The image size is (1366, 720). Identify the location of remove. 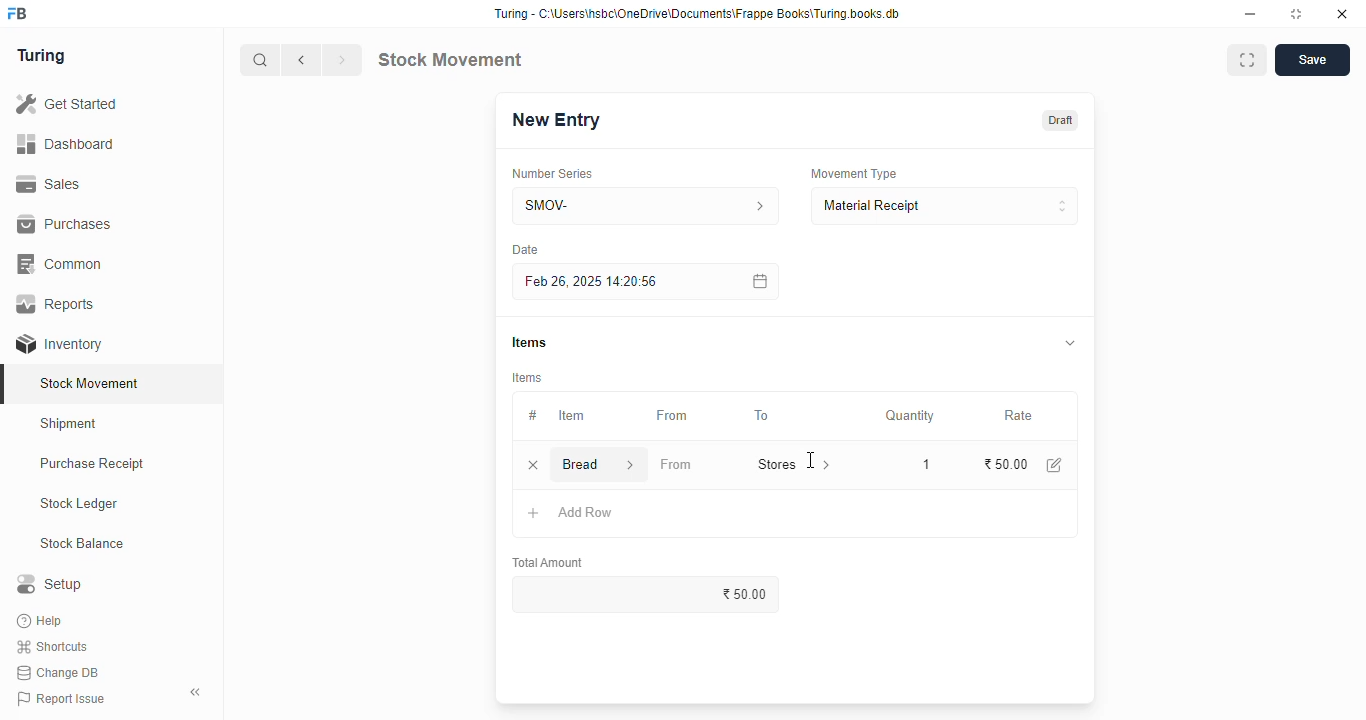
(533, 466).